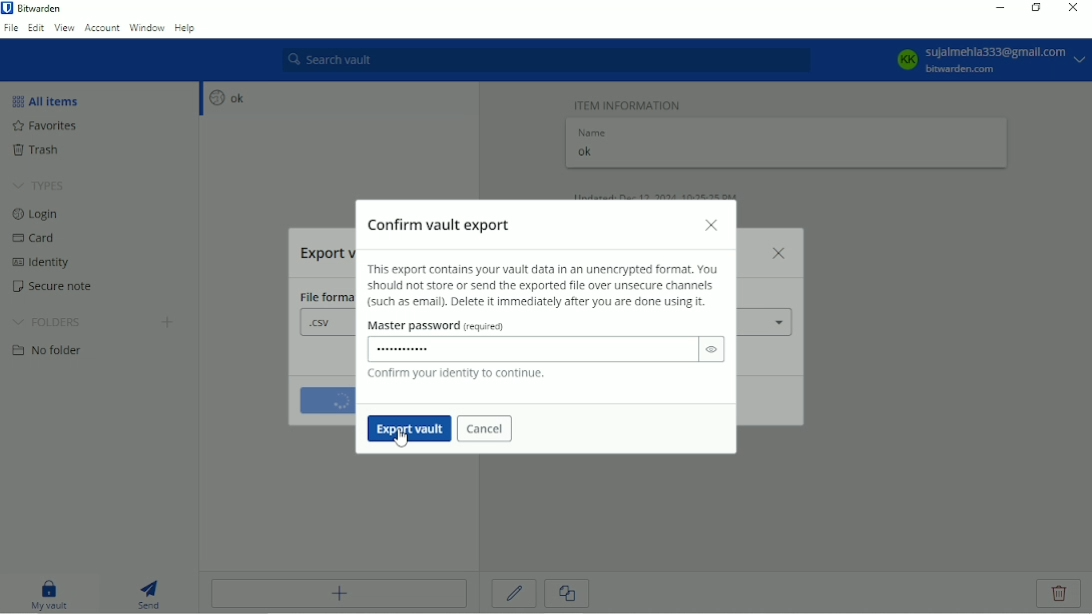 This screenshot has width=1092, height=614. What do you see at coordinates (403, 438) in the screenshot?
I see `Cursor` at bounding box center [403, 438].